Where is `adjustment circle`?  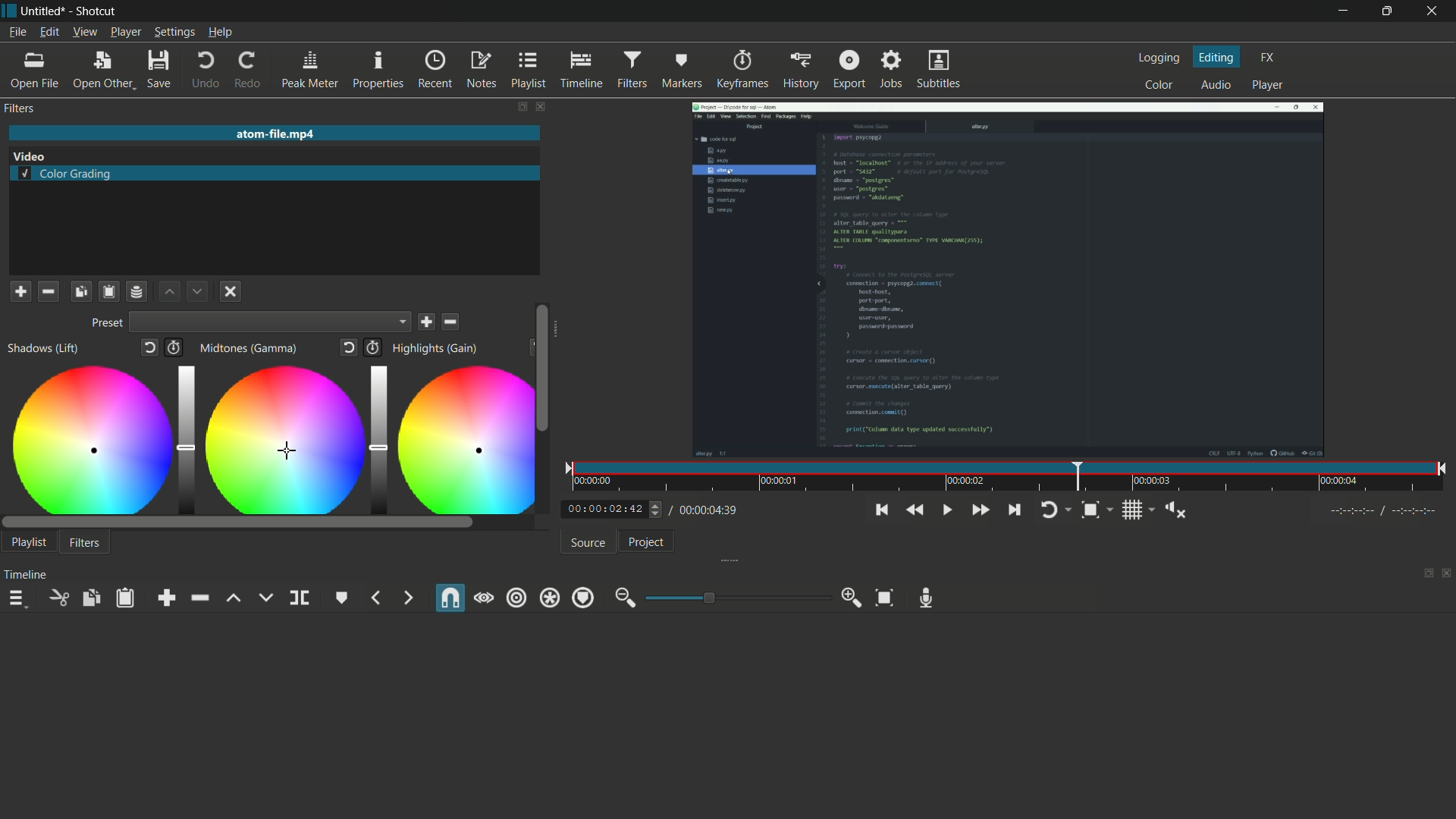 adjustment circle is located at coordinates (89, 438).